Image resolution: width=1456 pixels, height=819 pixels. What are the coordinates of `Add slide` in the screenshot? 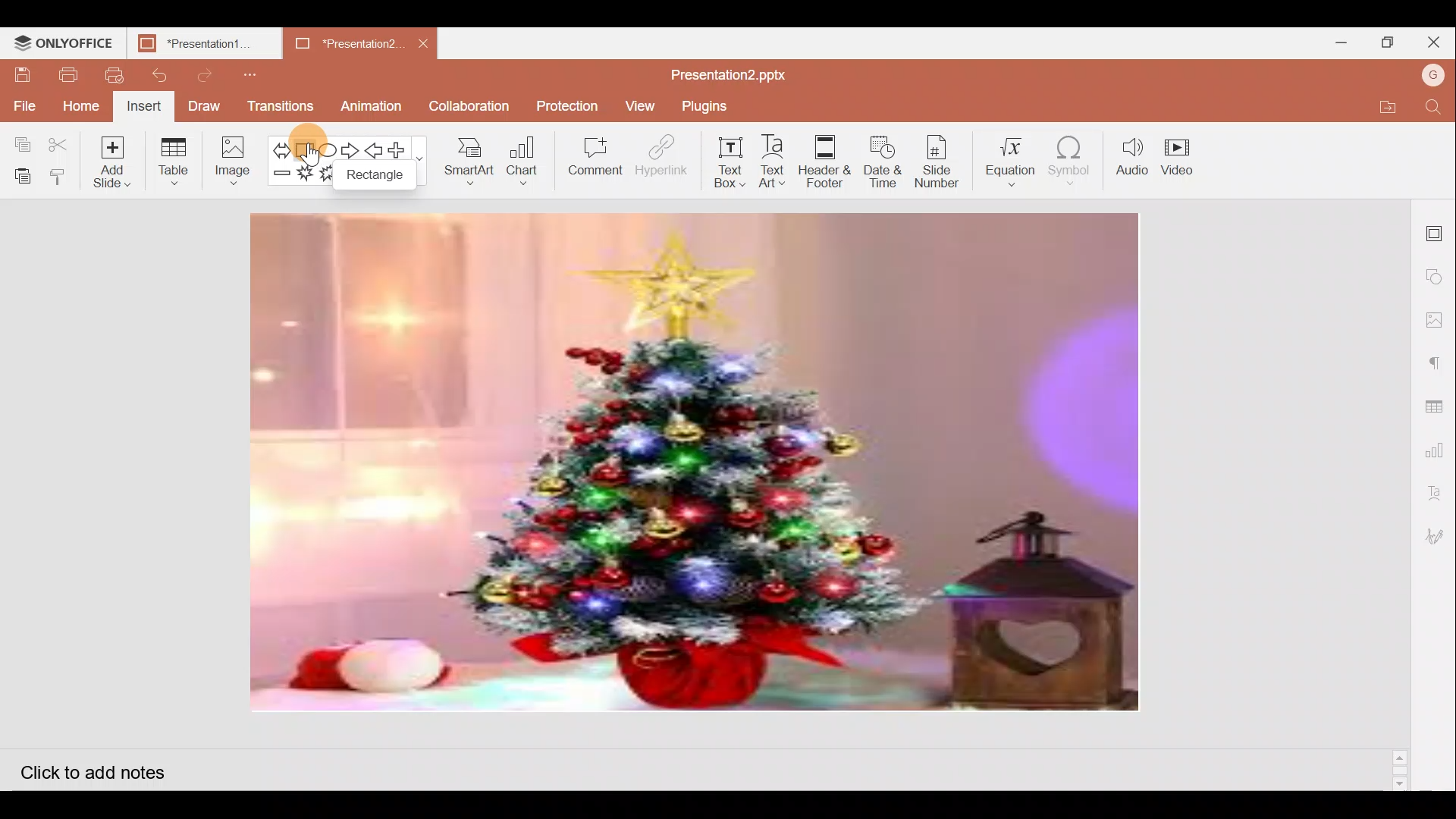 It's located at (114, 162).